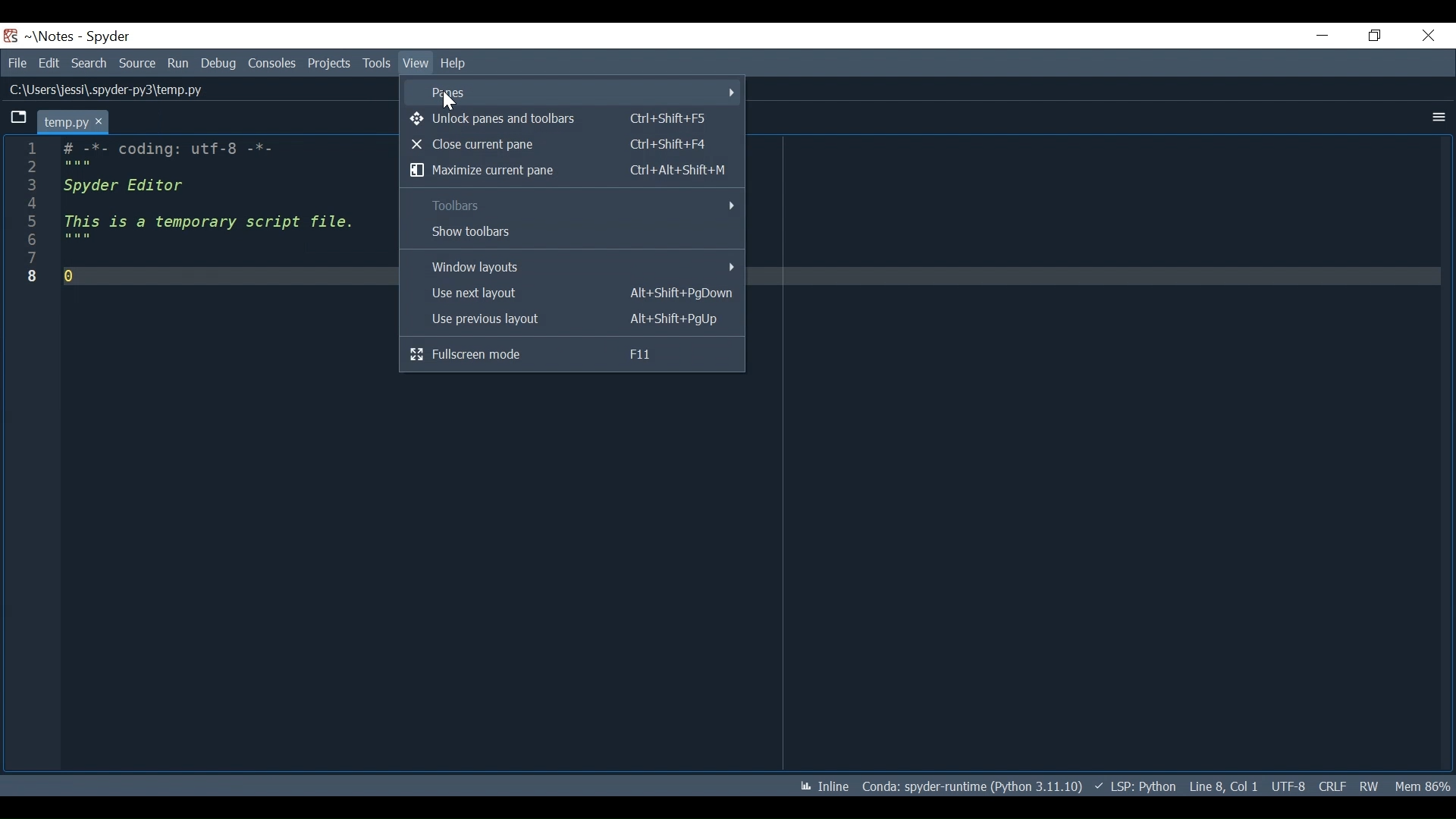  Describe the element at coordinates (14, 63) in the screenshot. I see `File` at that location.